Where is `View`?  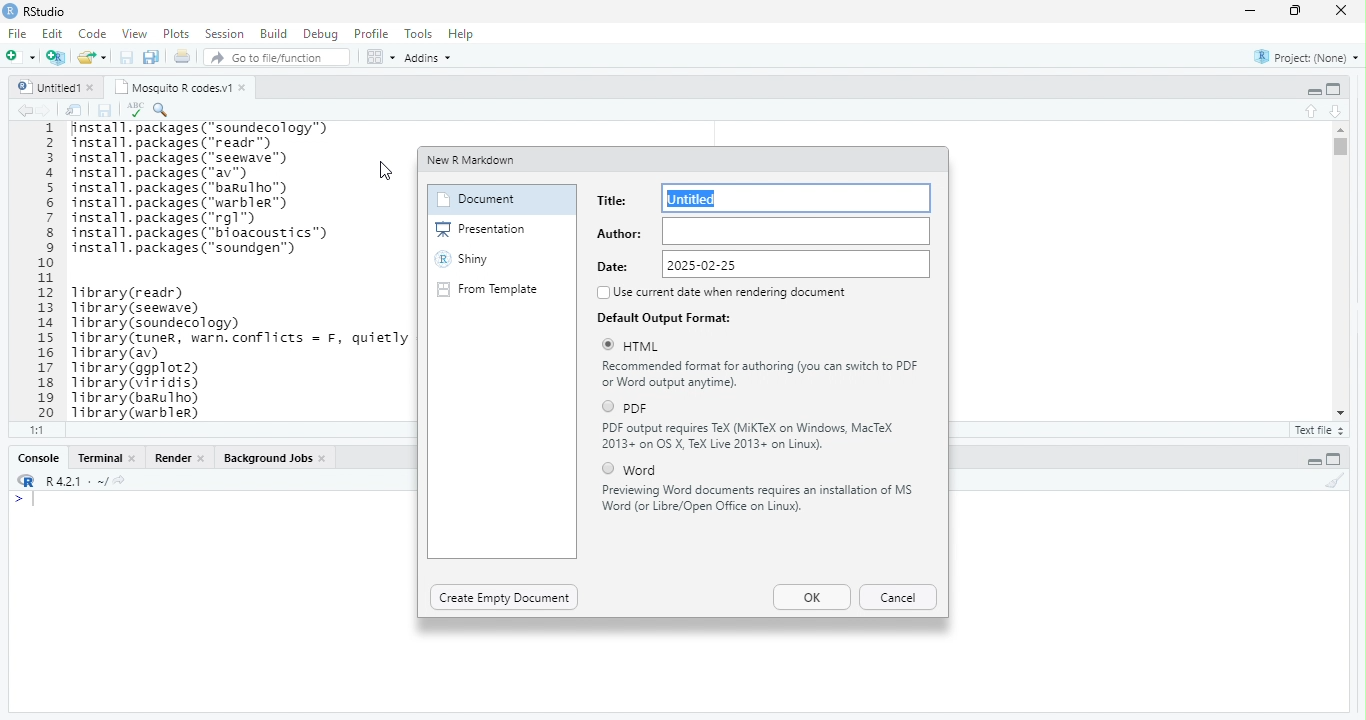
View is located at coordinates (134, 33).